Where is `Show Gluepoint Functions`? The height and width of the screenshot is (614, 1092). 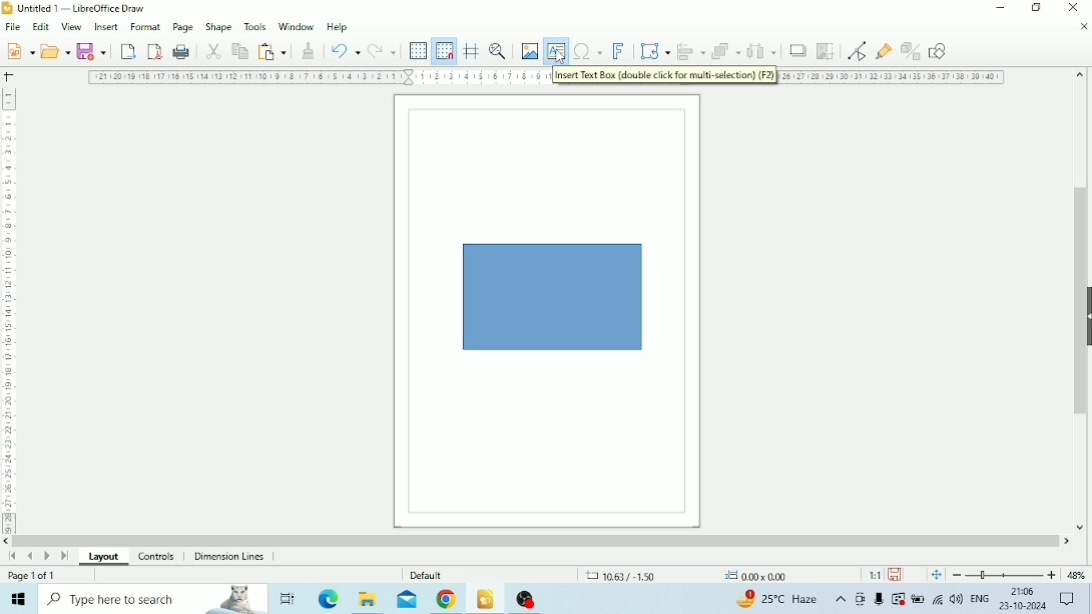
Show Gluepoint Functions is located at coordinates (882, 52).